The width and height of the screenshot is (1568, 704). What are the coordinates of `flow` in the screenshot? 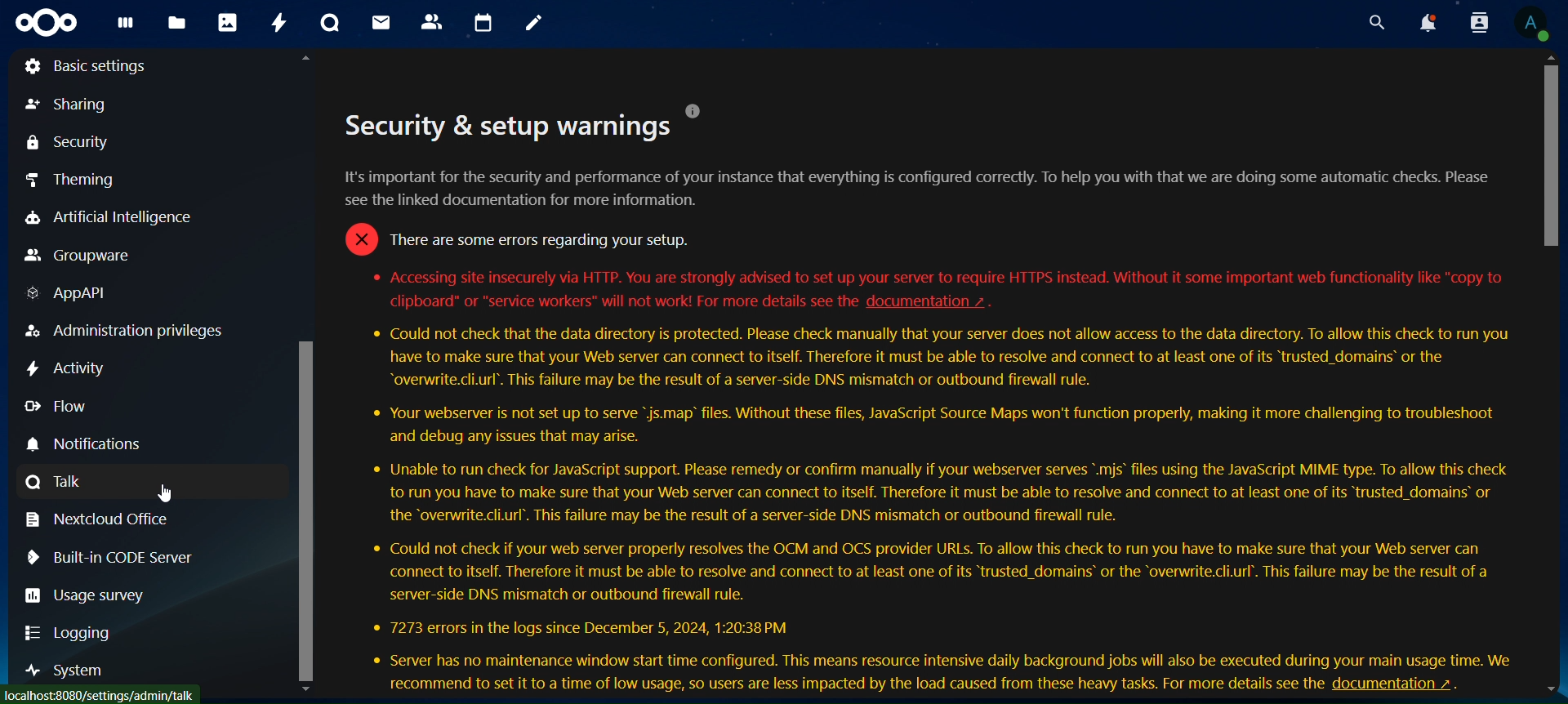 It's located at (60, 408).